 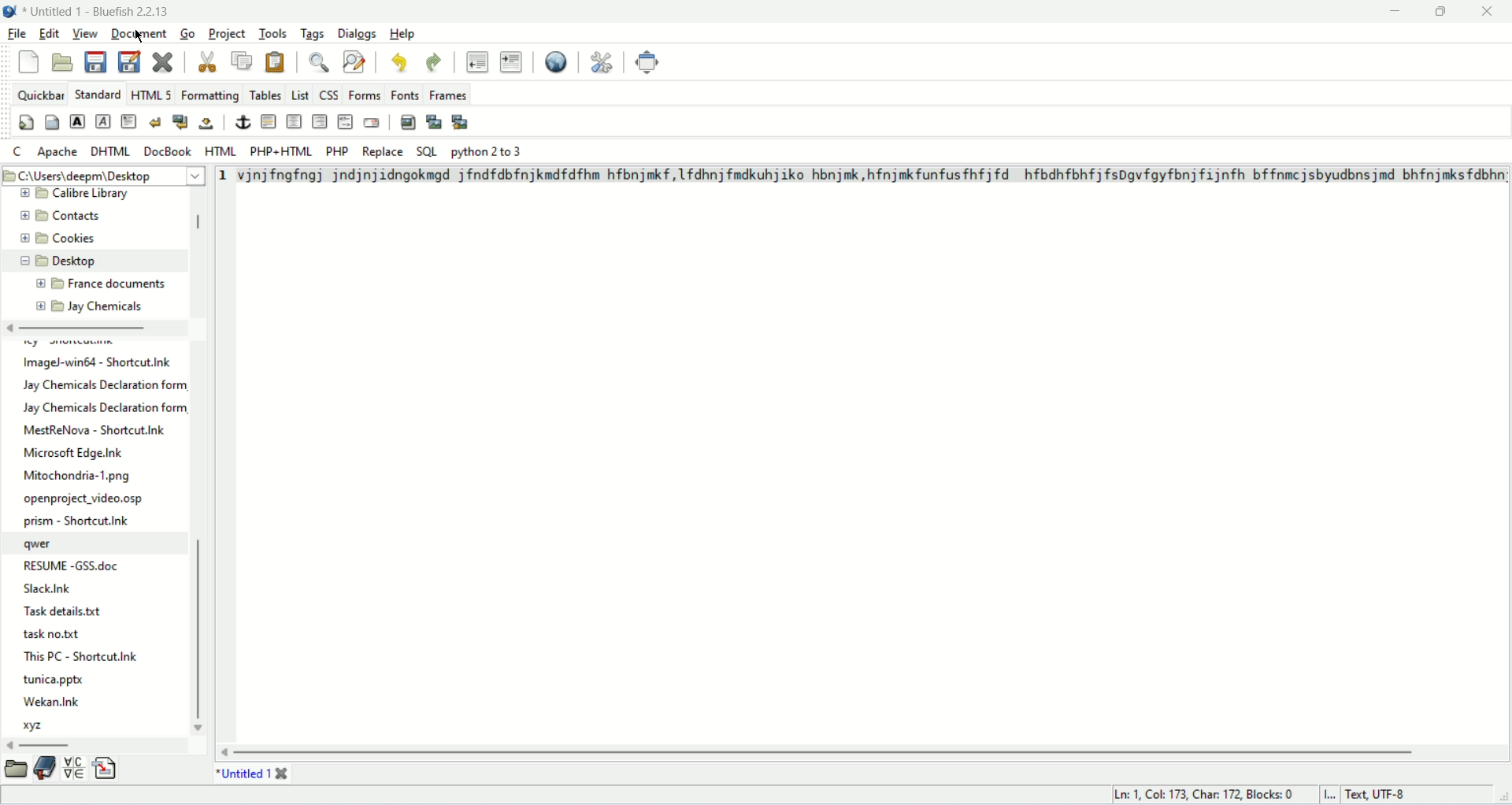 What do you see at coordinates (210, 95) in the screenshot?
I see `formatting` at bounding box center [210, 95].